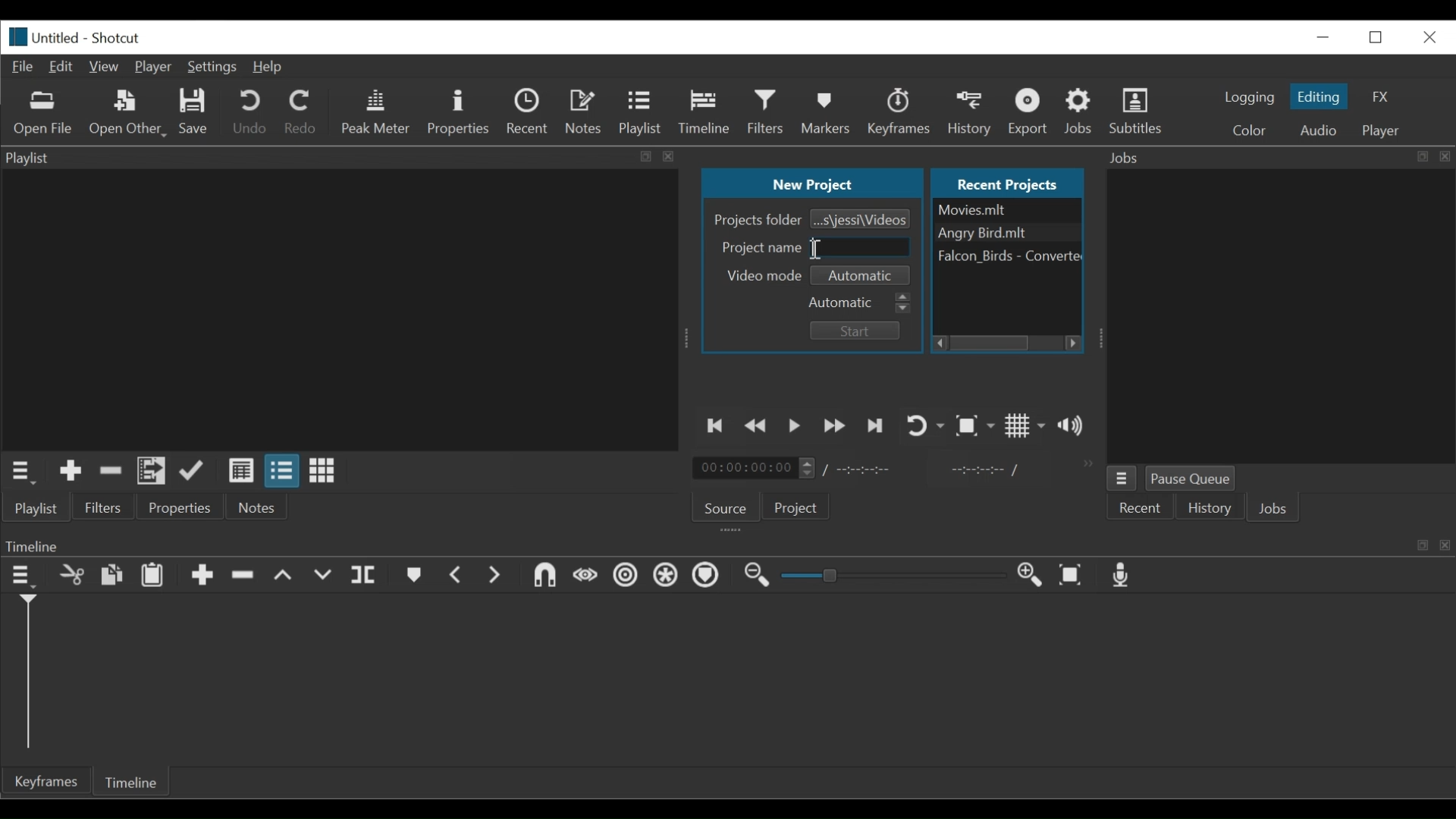 The height and width of the screenshot is (819, 1456). I want to click on Ripple all tracks, so click(666, 574).